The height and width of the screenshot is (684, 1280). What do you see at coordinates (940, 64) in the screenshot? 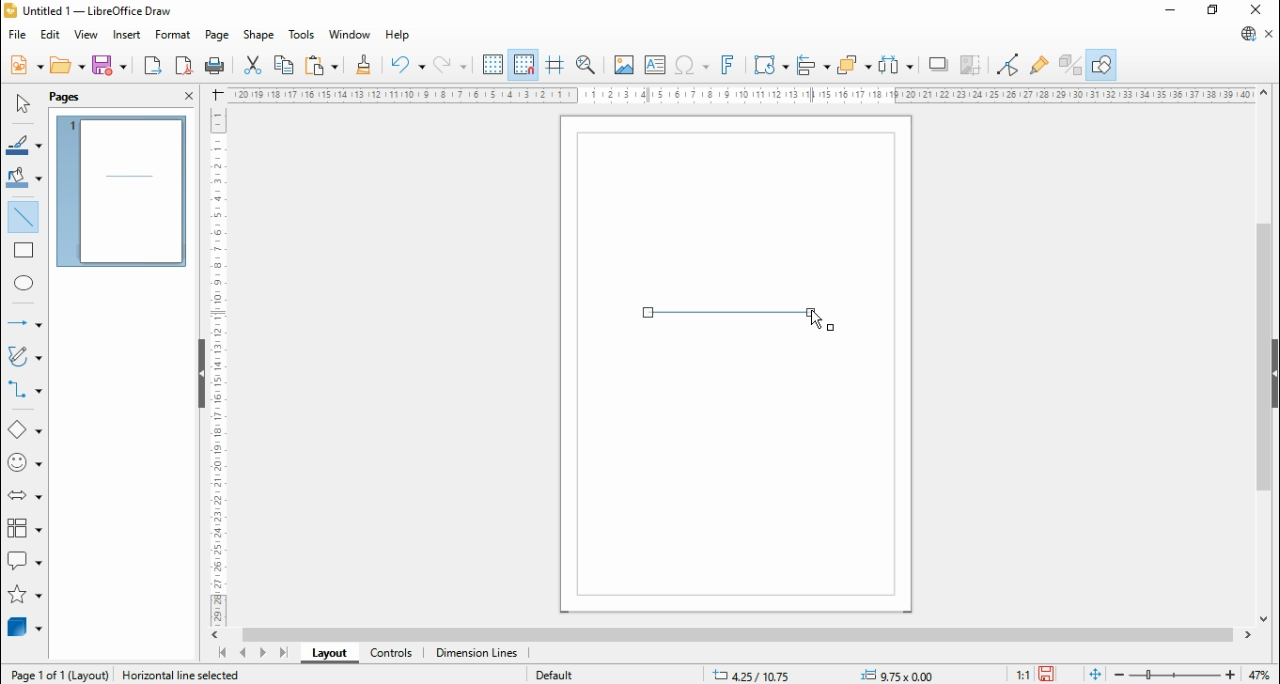
I see `shadow` at bounding box center [940, 64].